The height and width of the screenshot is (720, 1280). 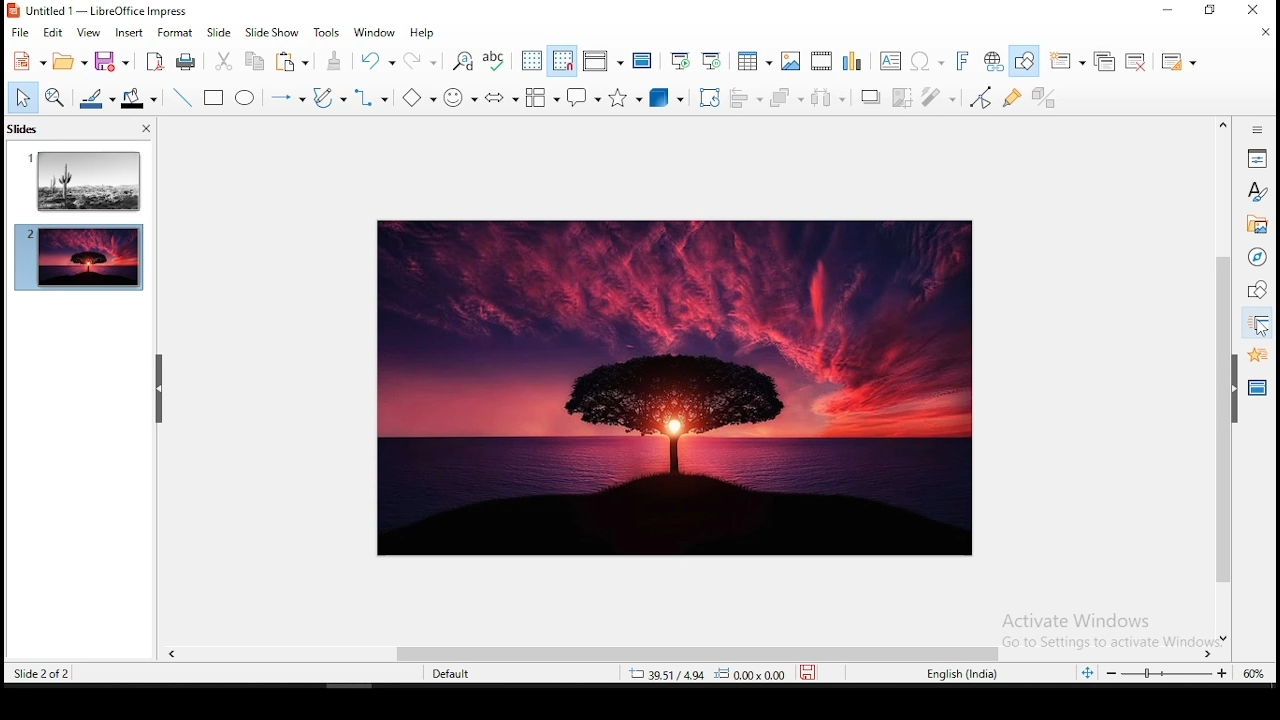 I want to click on save, so click(x=806, y=676).